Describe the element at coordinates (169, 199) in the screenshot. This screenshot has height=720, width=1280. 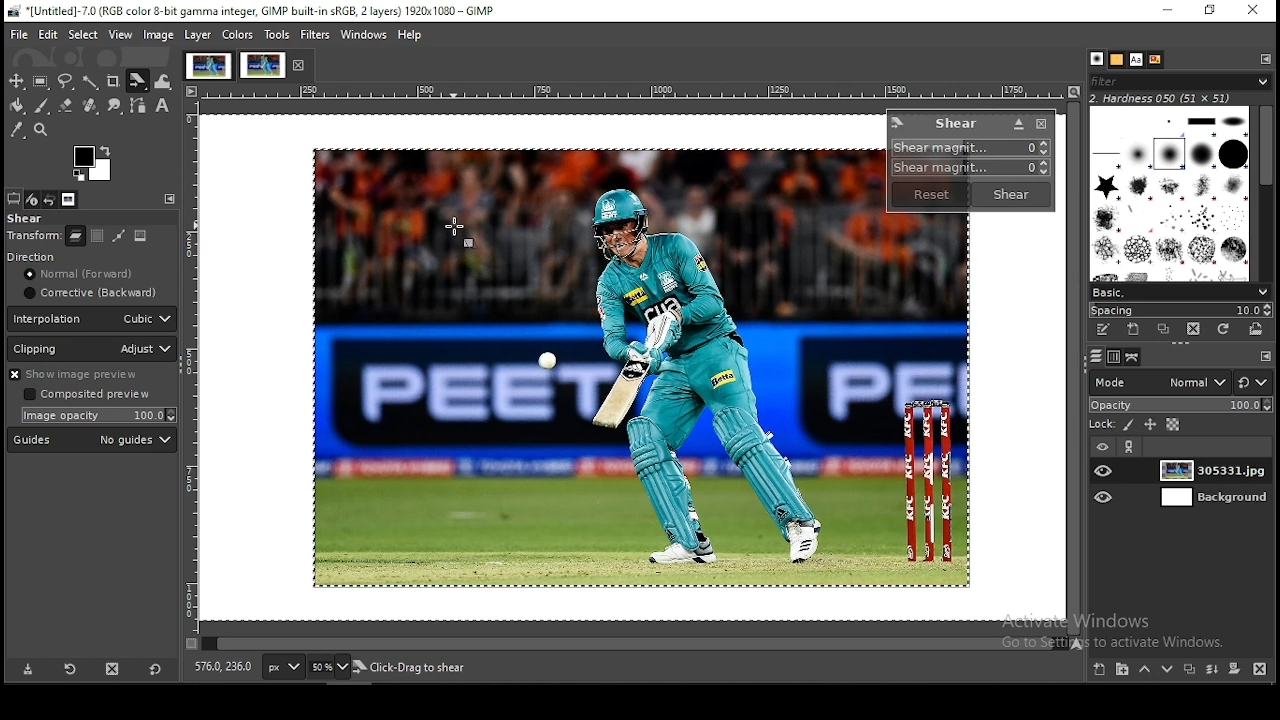
I see `configure this tab` at that location.